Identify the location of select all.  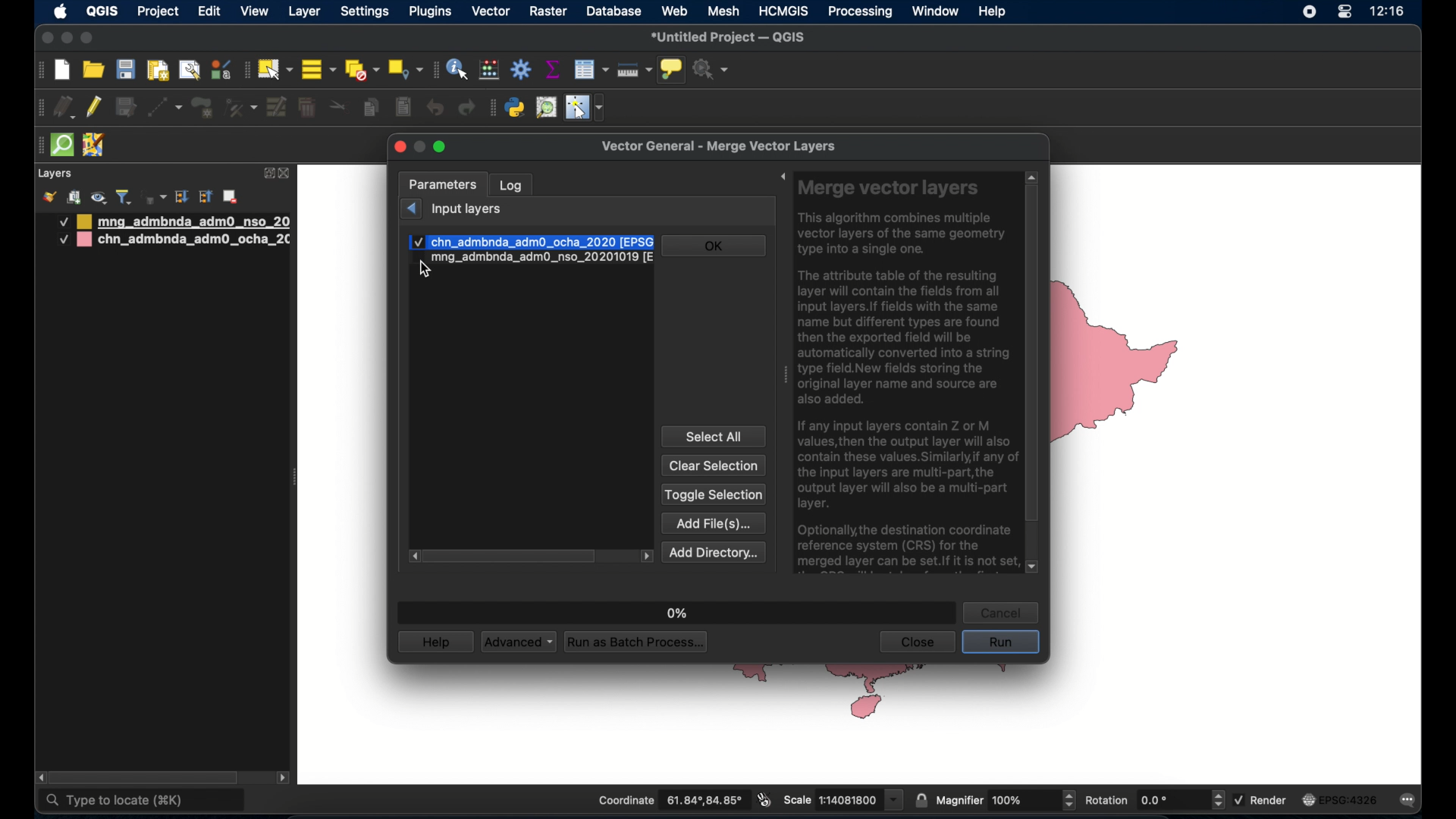
(714, 436).